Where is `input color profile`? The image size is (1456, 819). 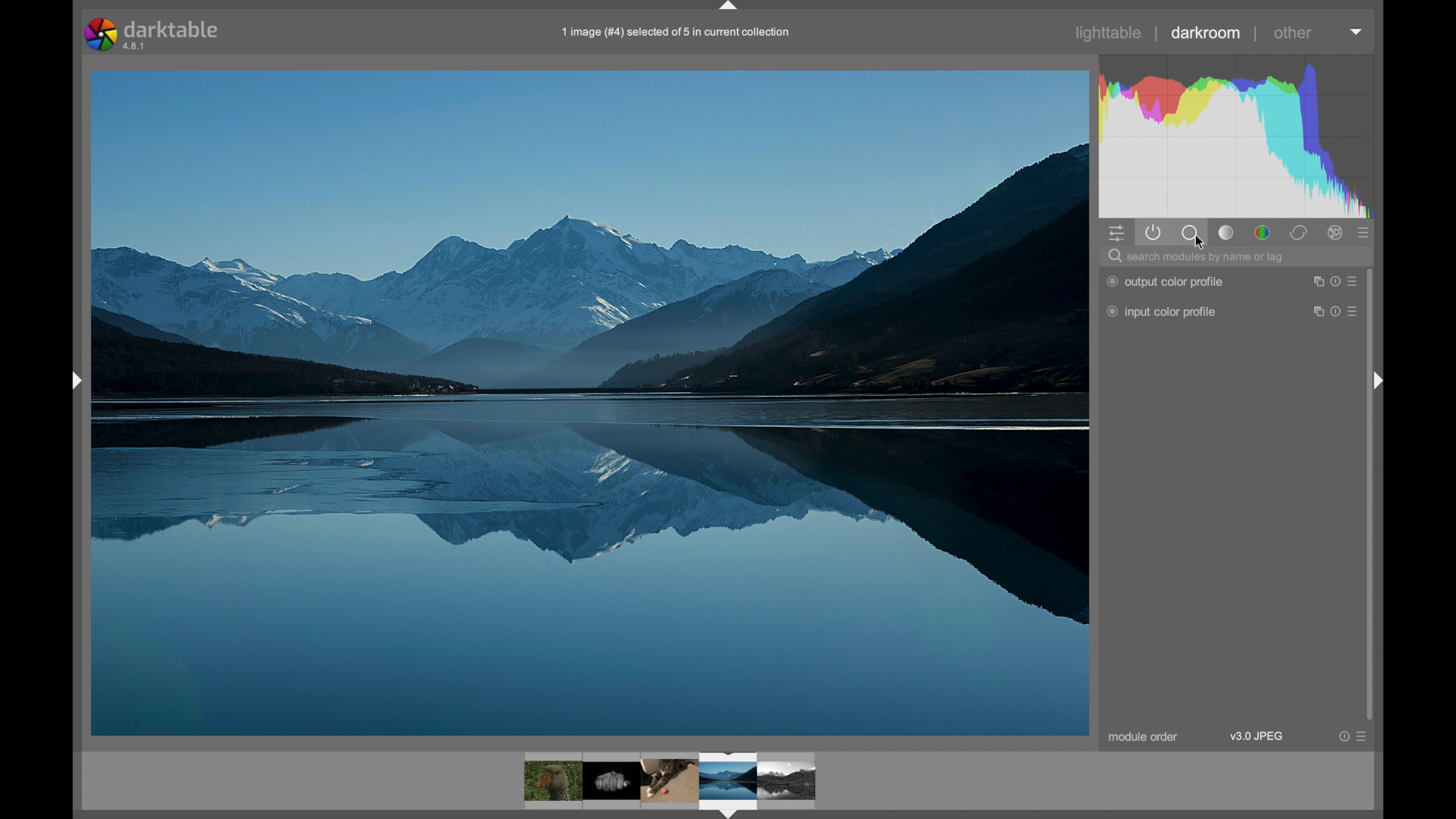
input color profile is located at coordinates (1162, 312).